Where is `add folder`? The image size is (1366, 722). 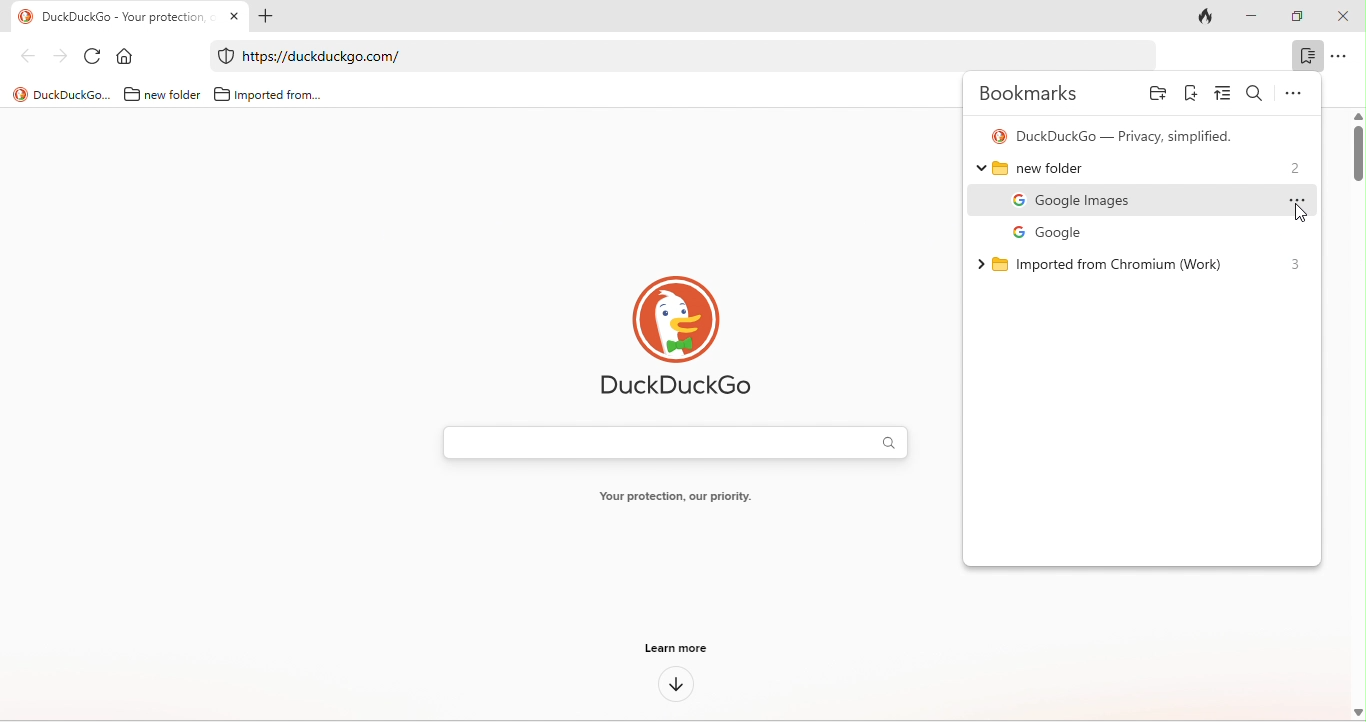 add folder is located at coordinates (1156, 96).